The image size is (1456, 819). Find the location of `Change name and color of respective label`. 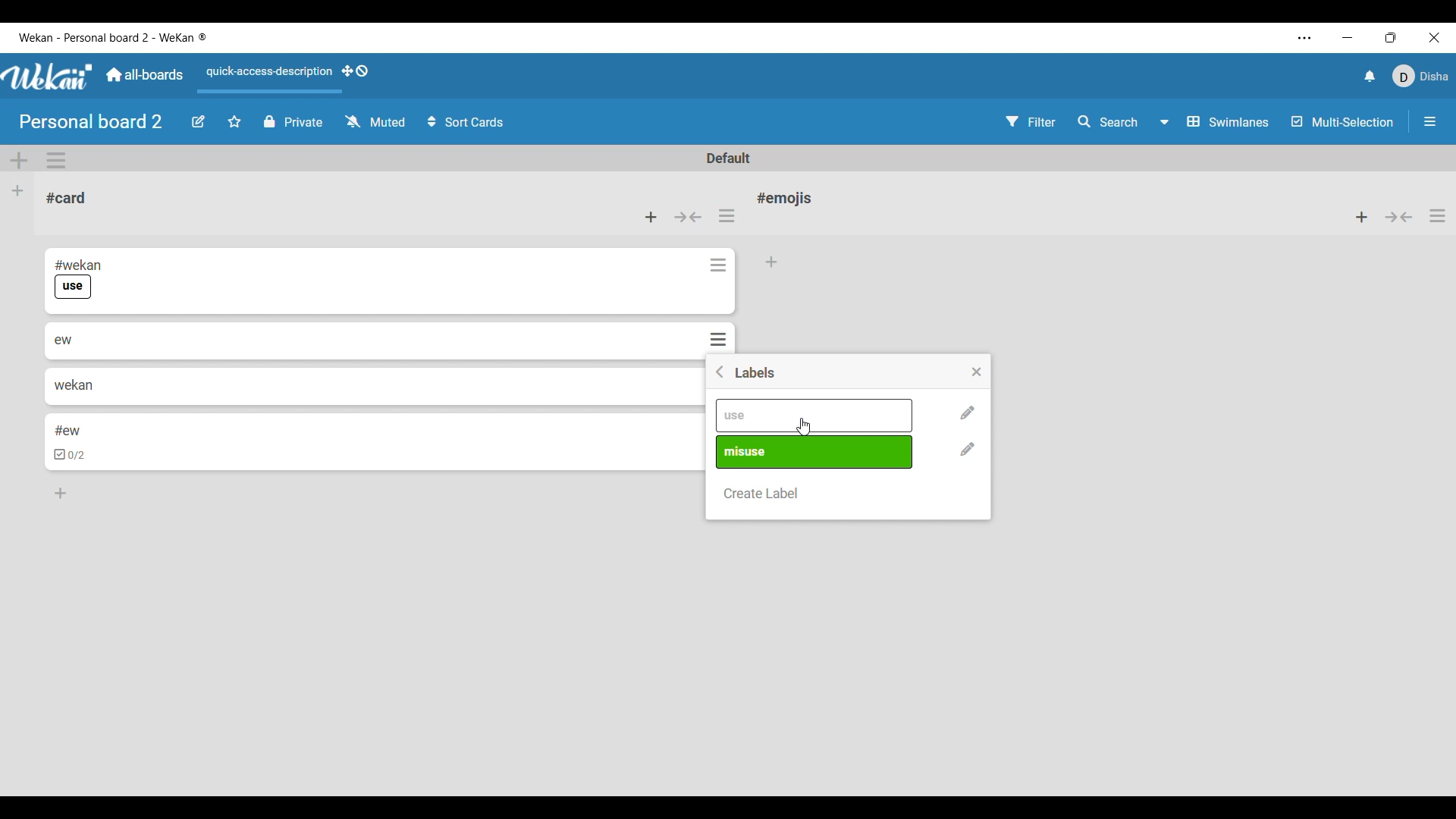

Change name and color of respective label is located at coordinates (968, 412).